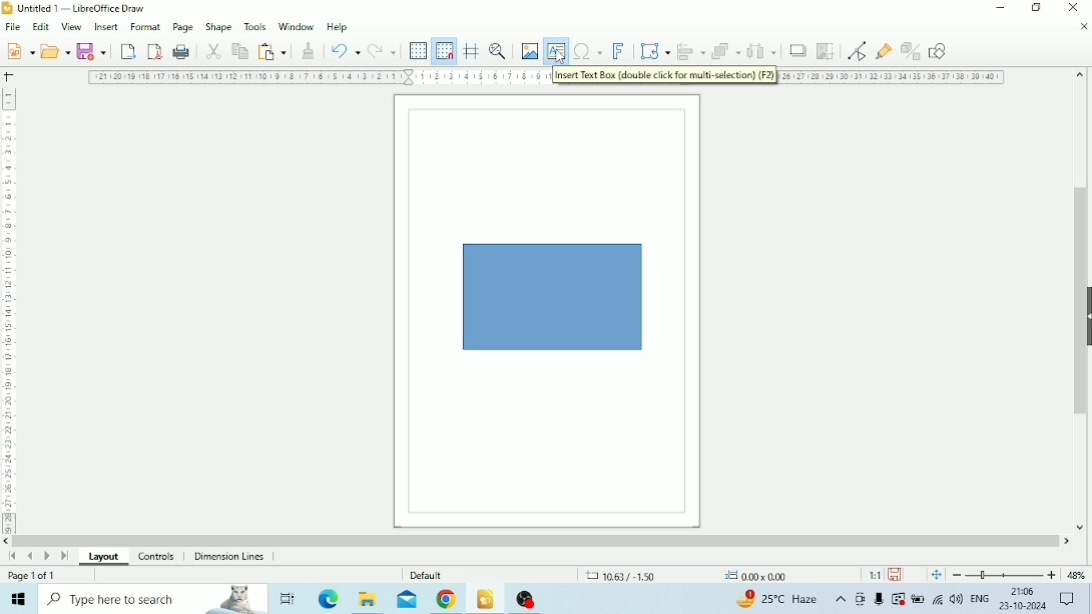 Image resolution: width=1092 pixels, height=614 pixels. Describe the element at coordinates (1076, 574) in the screenshot. I see `Zoom factor` at that location.